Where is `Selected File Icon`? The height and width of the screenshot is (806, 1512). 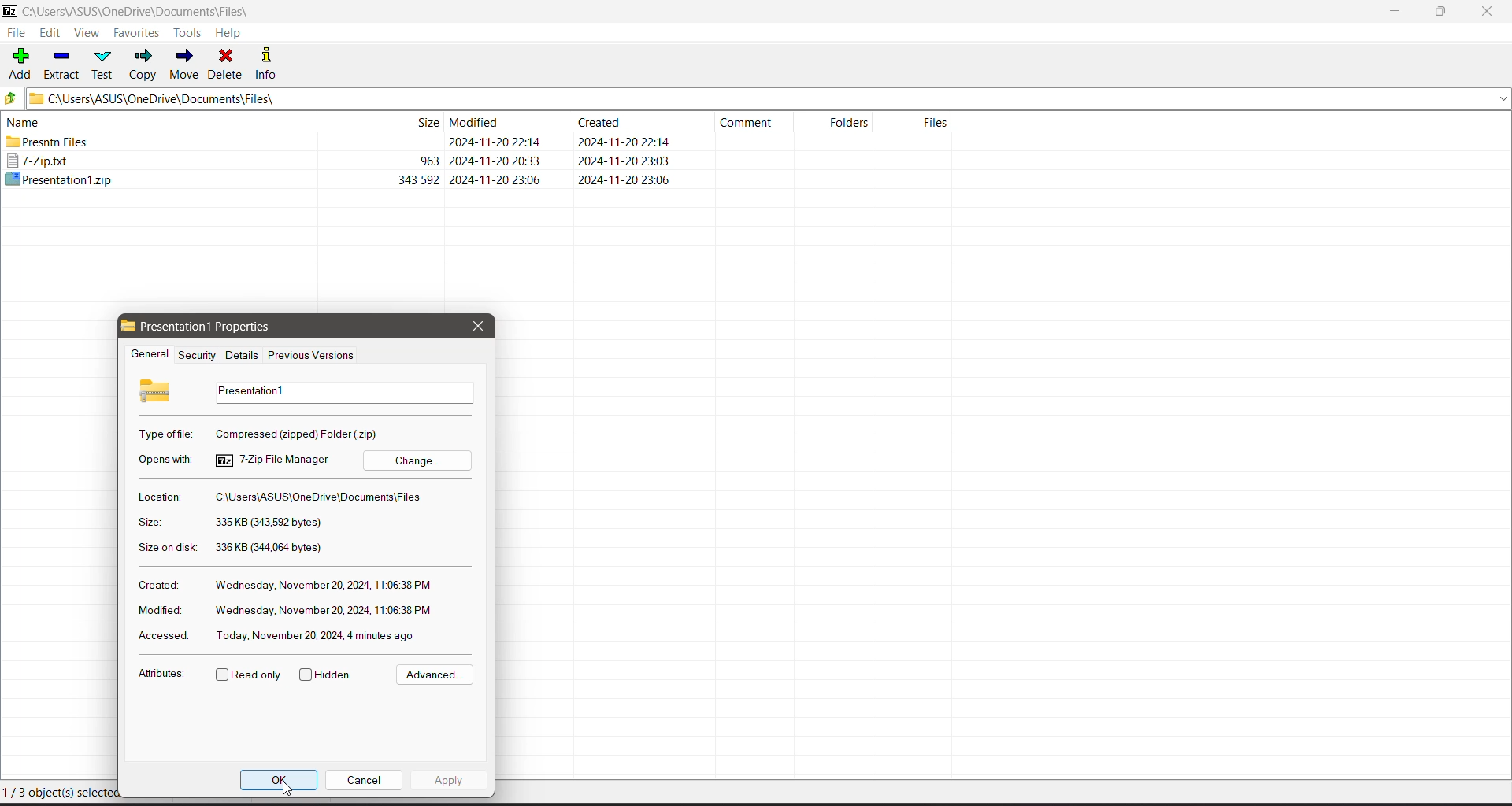
Selected File Icon is located at coordinates (157, 390).